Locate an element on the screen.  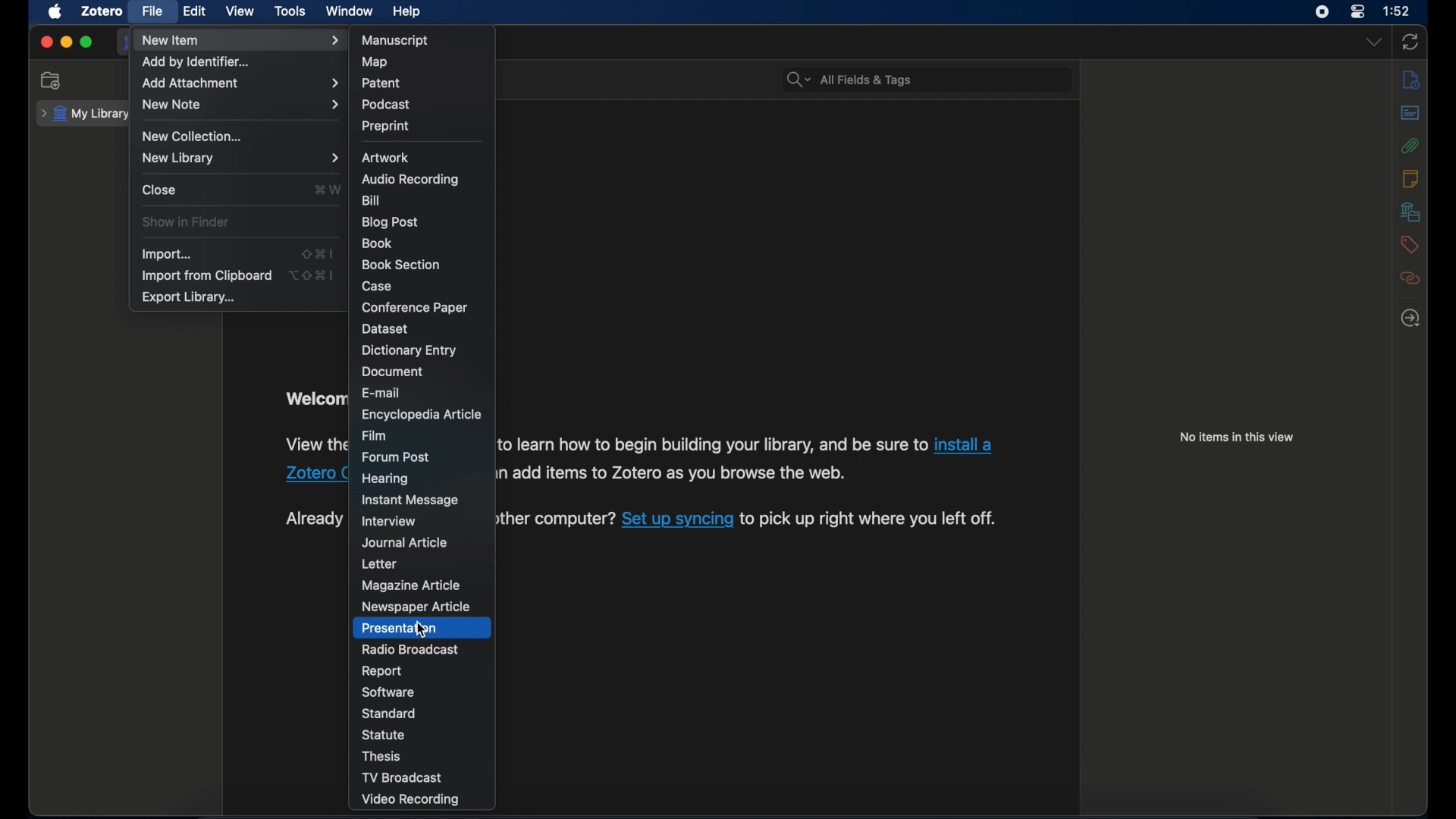
screen recorder is located at coordinates (1321, 13).